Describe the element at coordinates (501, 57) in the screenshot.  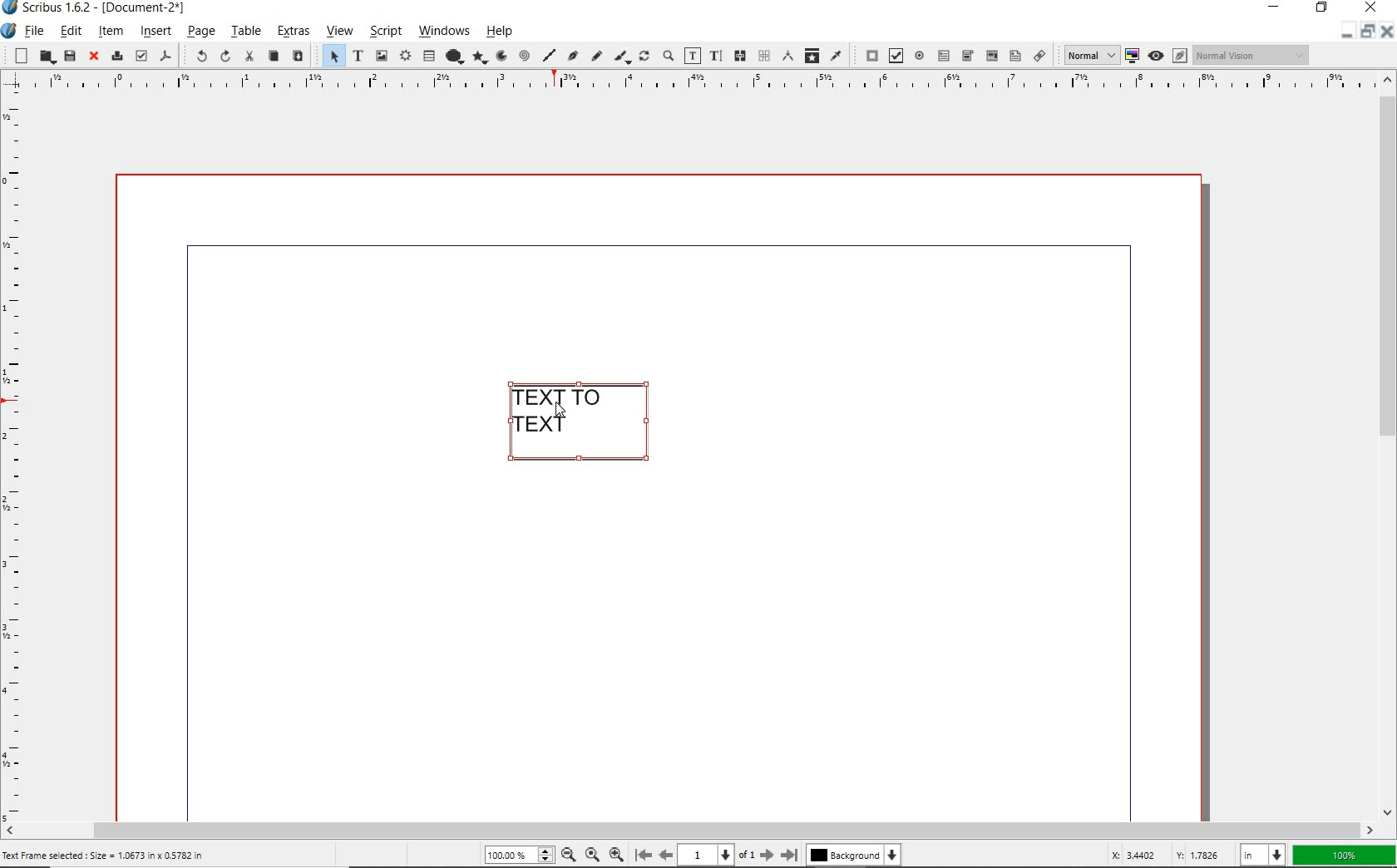
I see `arc` at that location.